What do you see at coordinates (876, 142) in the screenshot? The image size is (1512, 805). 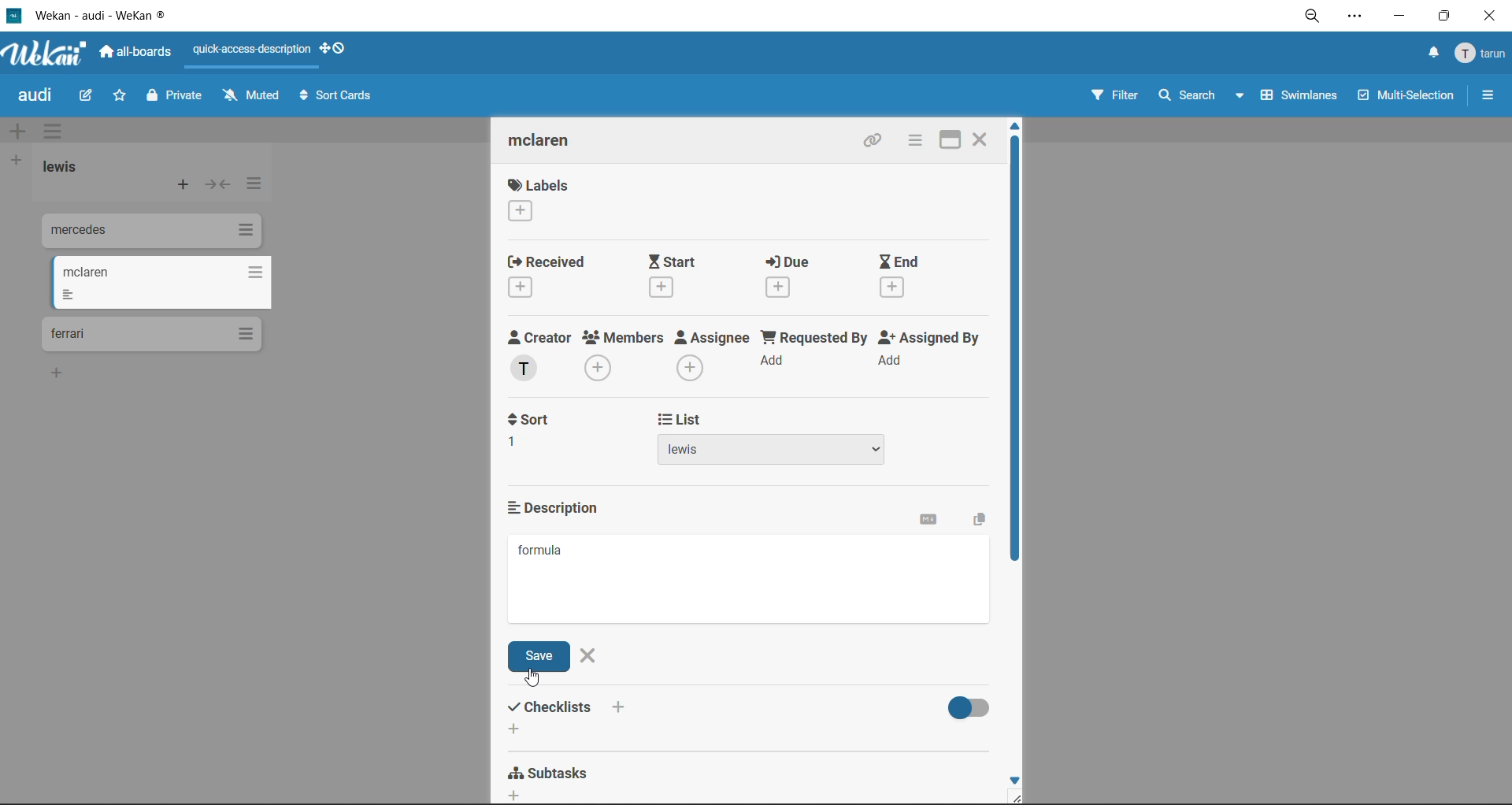 I see `copy link` at bounding box center [876, 142].